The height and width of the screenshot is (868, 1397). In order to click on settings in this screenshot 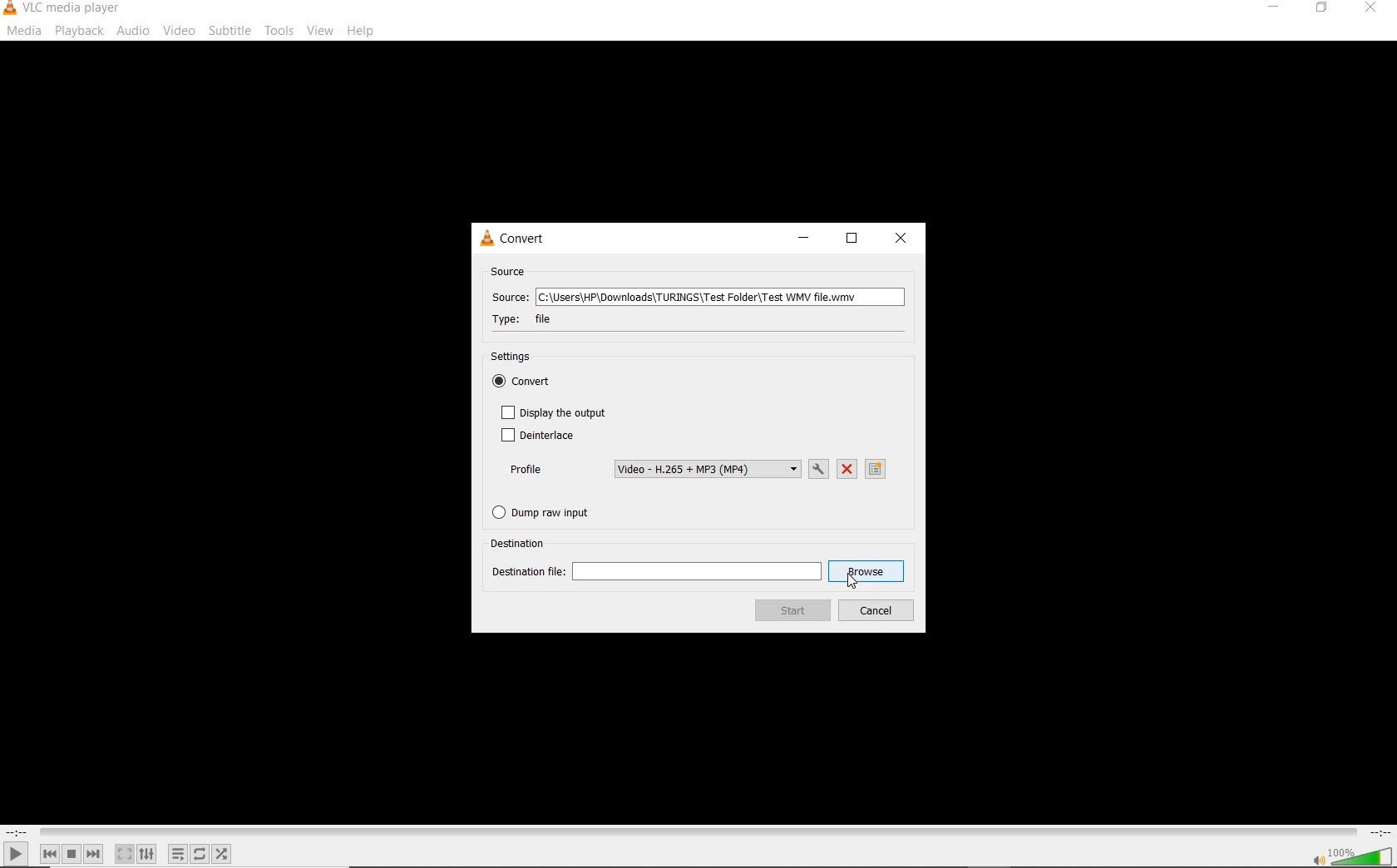, I will do `click(518, 358)`.